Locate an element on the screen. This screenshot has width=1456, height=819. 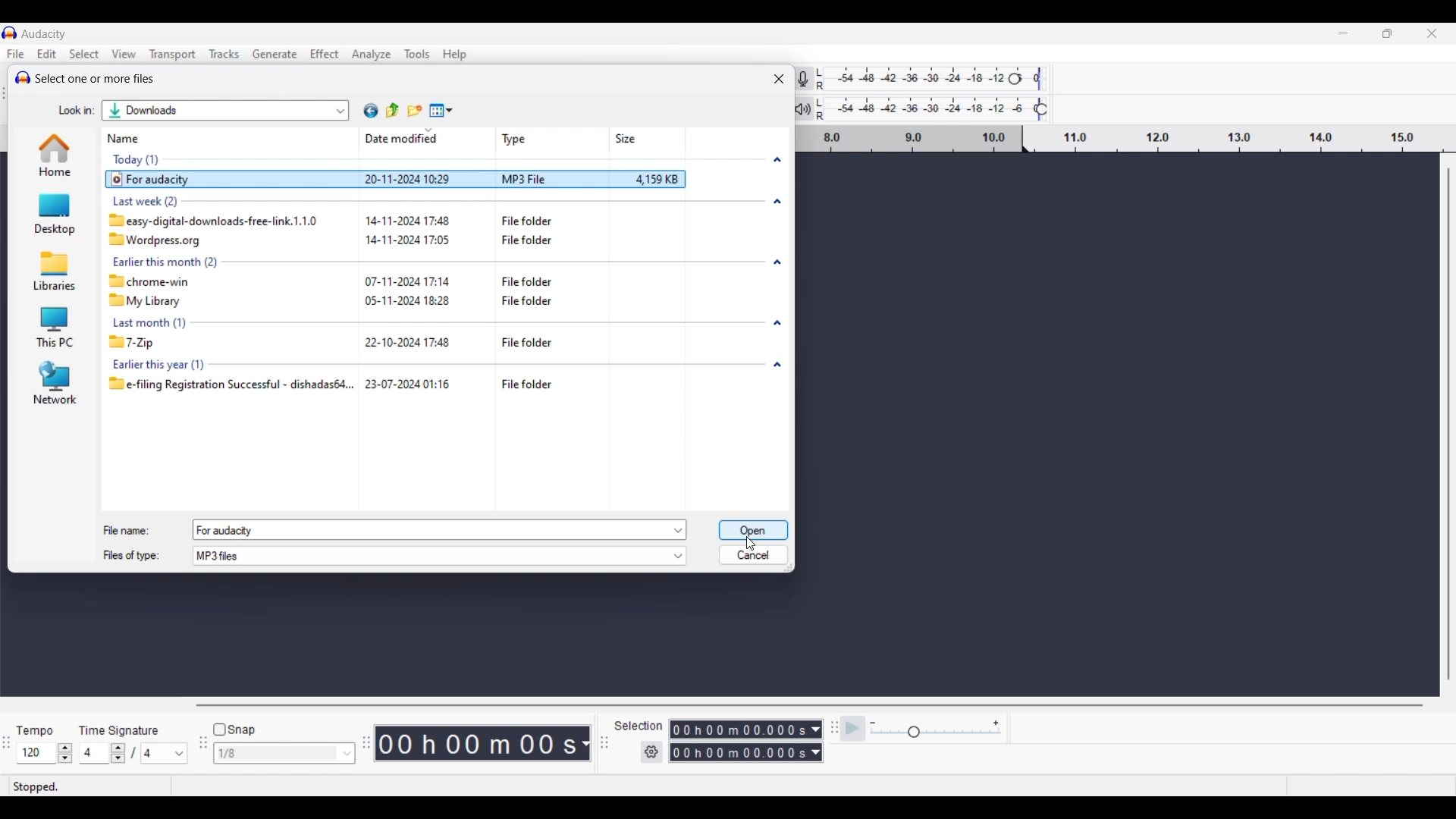
Size is located at coordinates (627, 136).